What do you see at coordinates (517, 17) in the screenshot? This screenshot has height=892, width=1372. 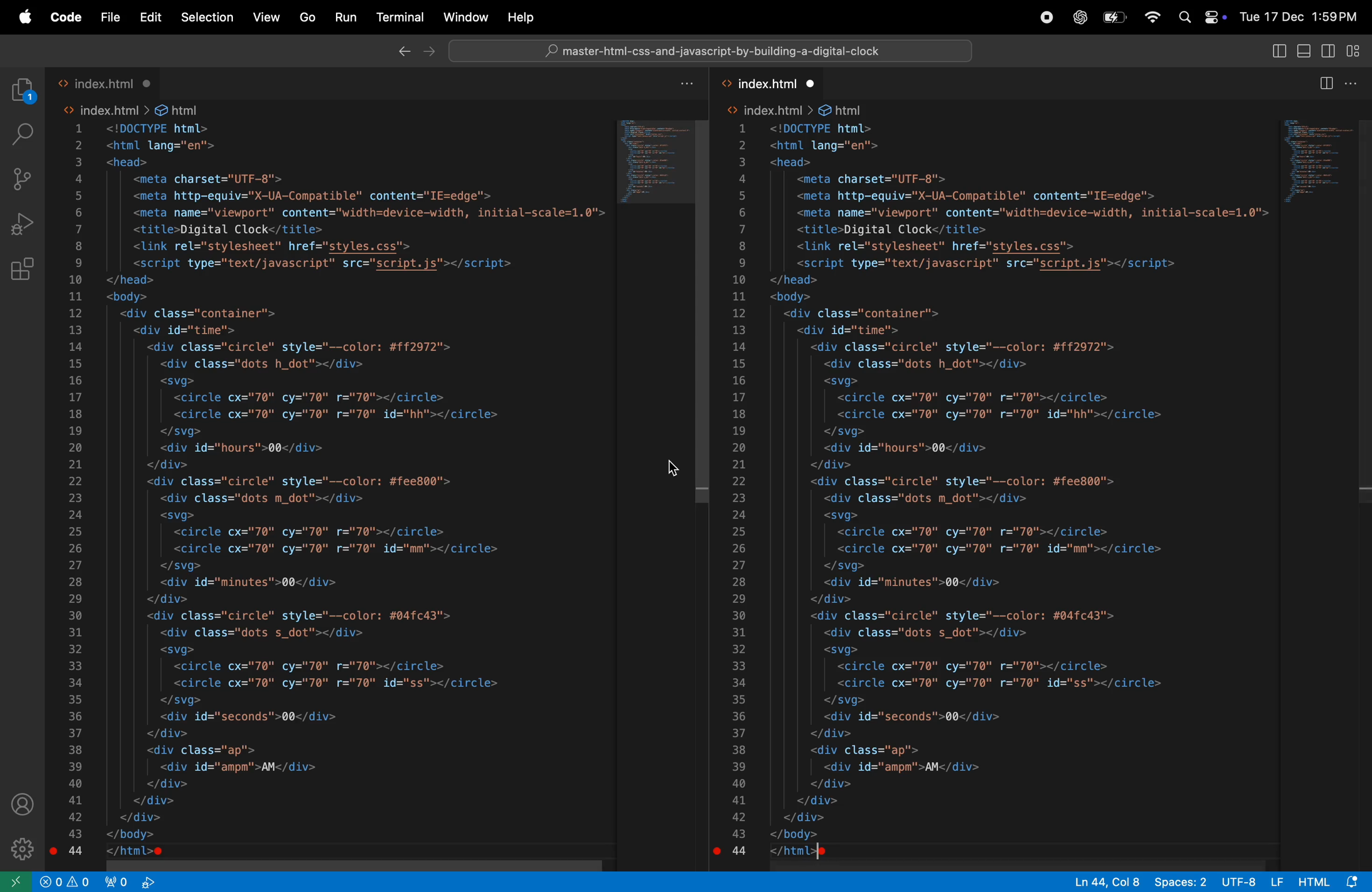 I see `help` at bounding box center [517, 17].